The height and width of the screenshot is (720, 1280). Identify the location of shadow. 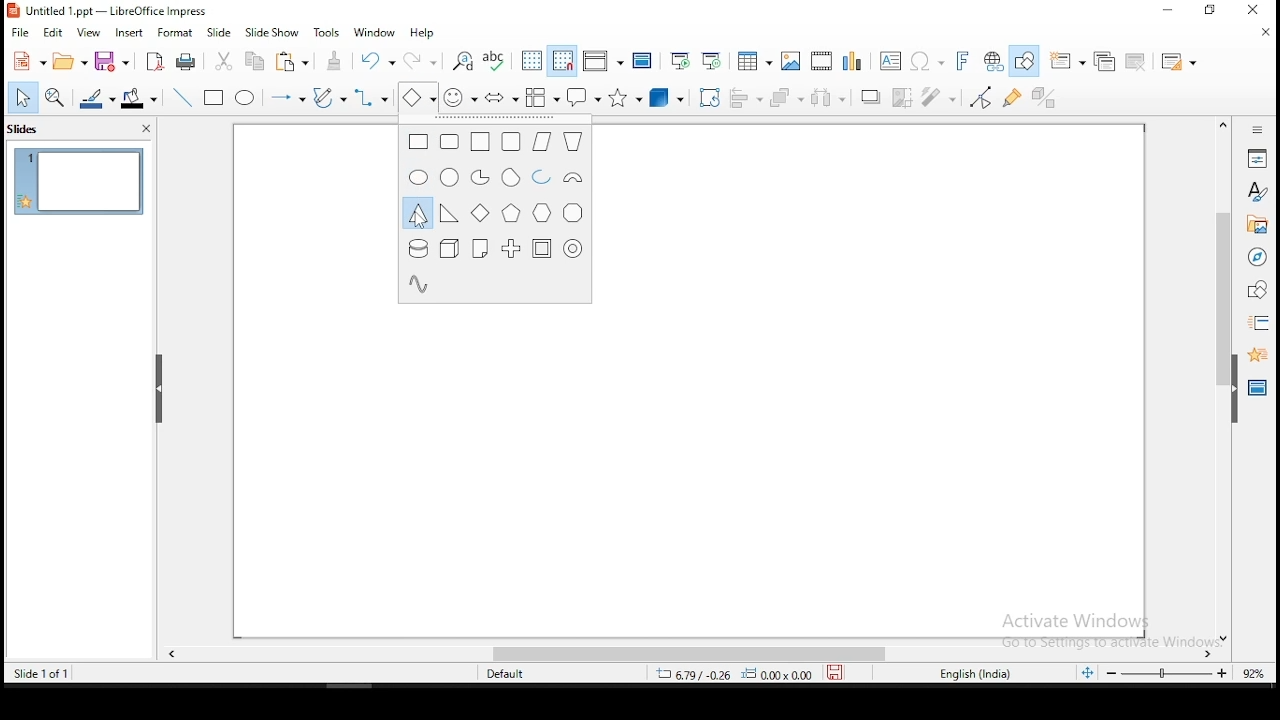
(871, 98).